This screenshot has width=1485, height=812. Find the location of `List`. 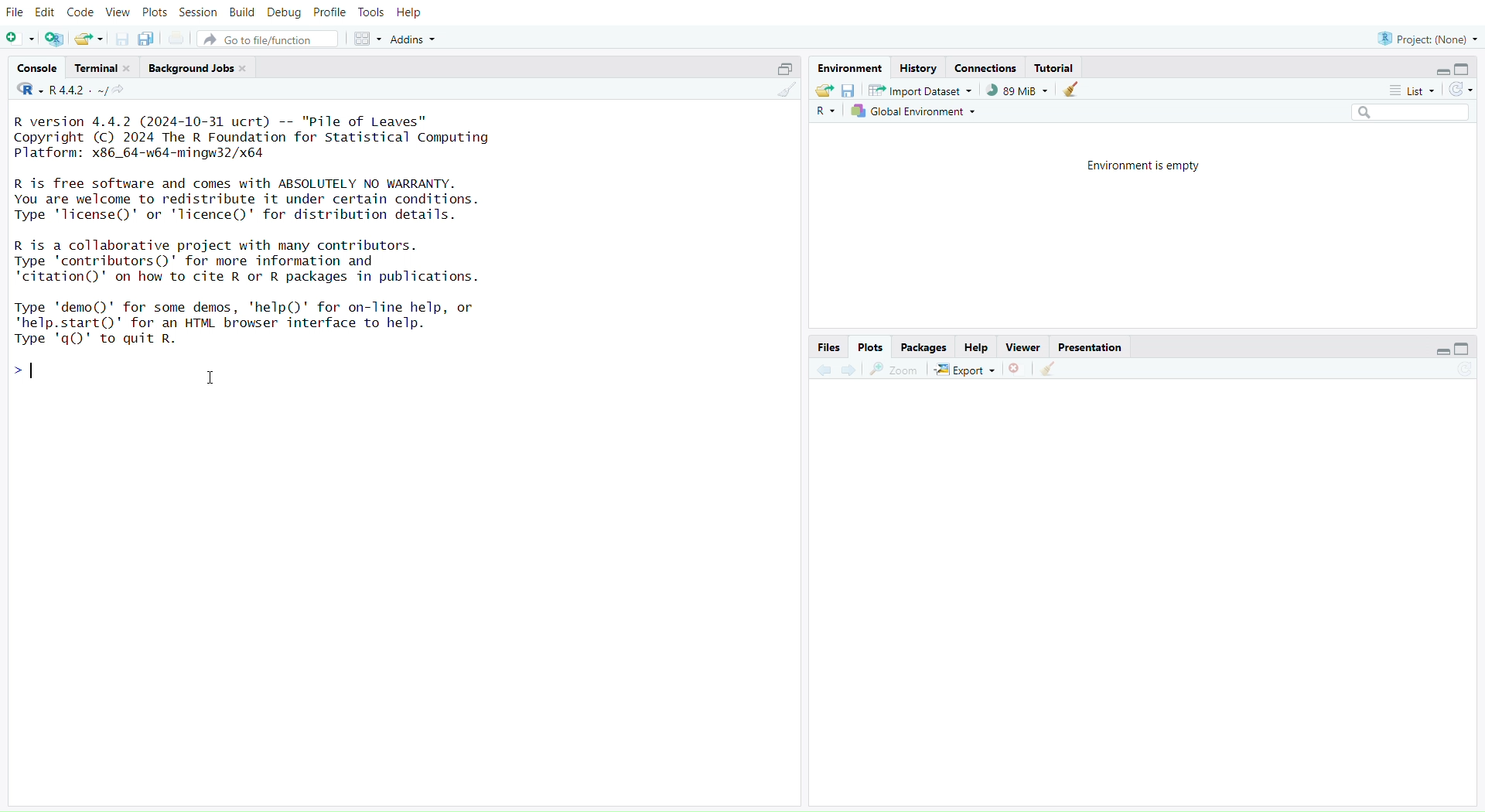

List is located at coordinates (1411, 90).